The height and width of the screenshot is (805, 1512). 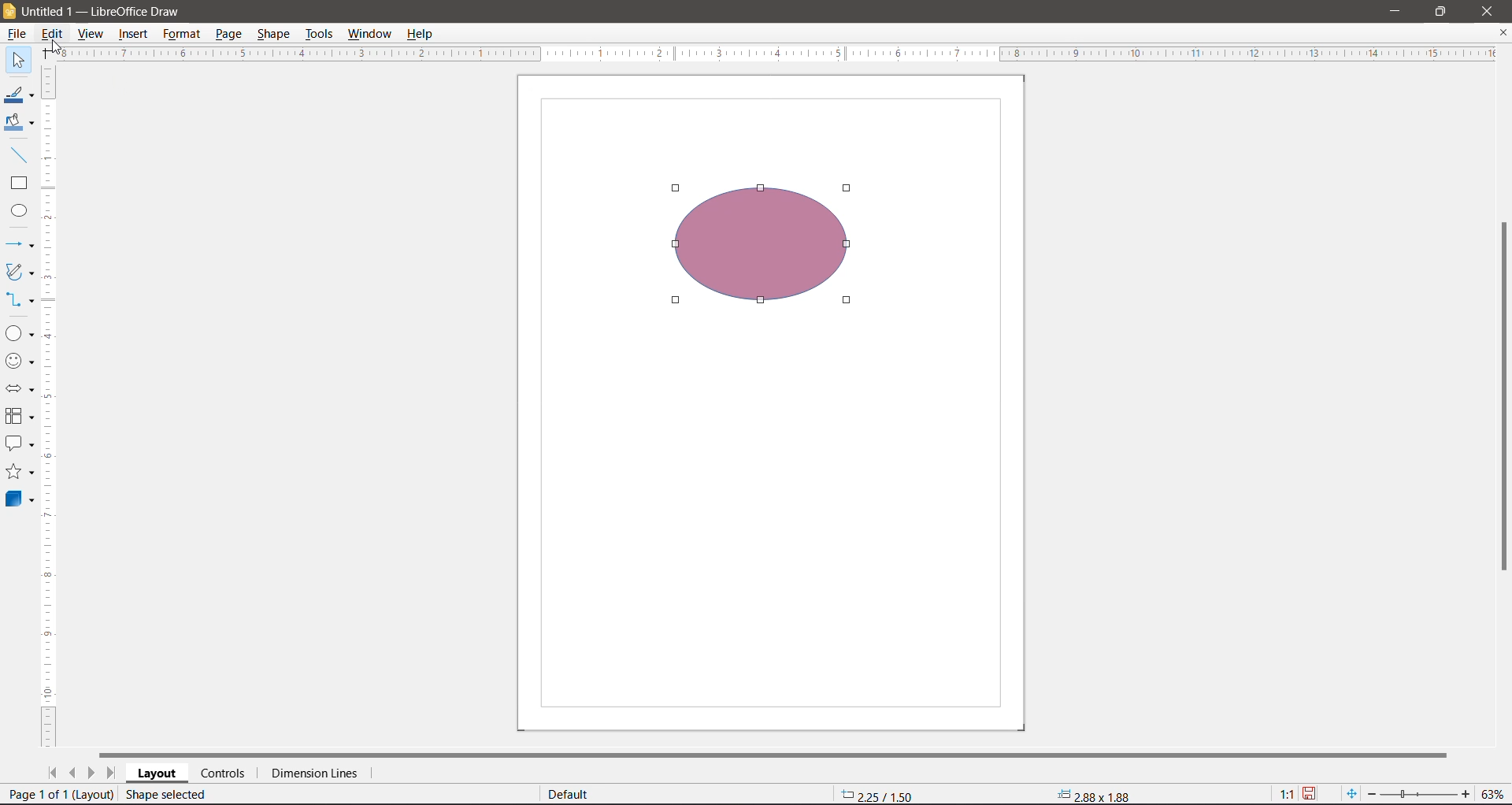 What do you see at coordinates (92, 773) in the screenshot?
I see `Scroll to next page` at bounding box center [92, 773].